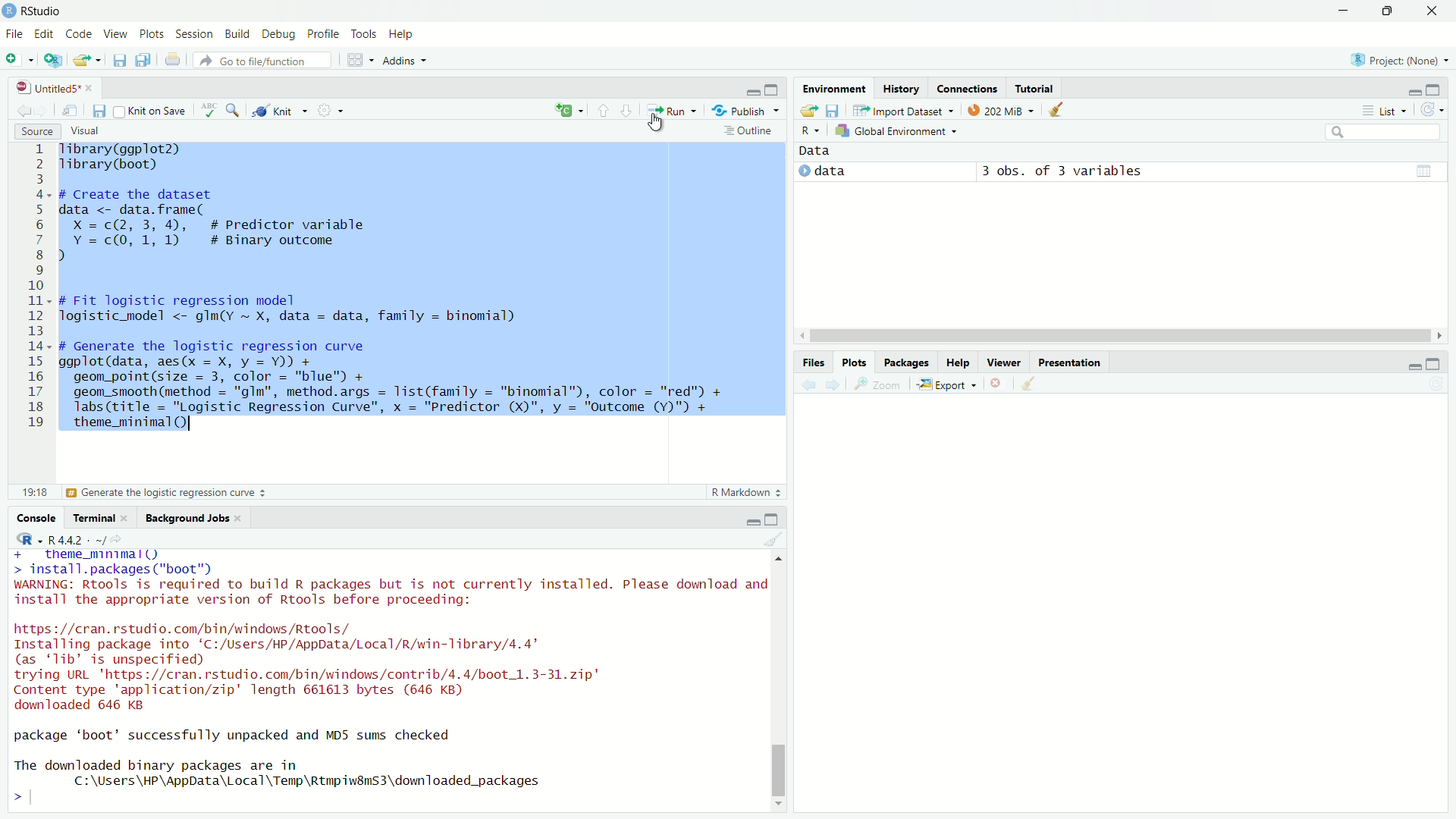 The width and height of the screenshot is (1456, 819). What do you see at coordinates (15, 33) in the screenshot?
I see `File` at bounding box center [15, 33].